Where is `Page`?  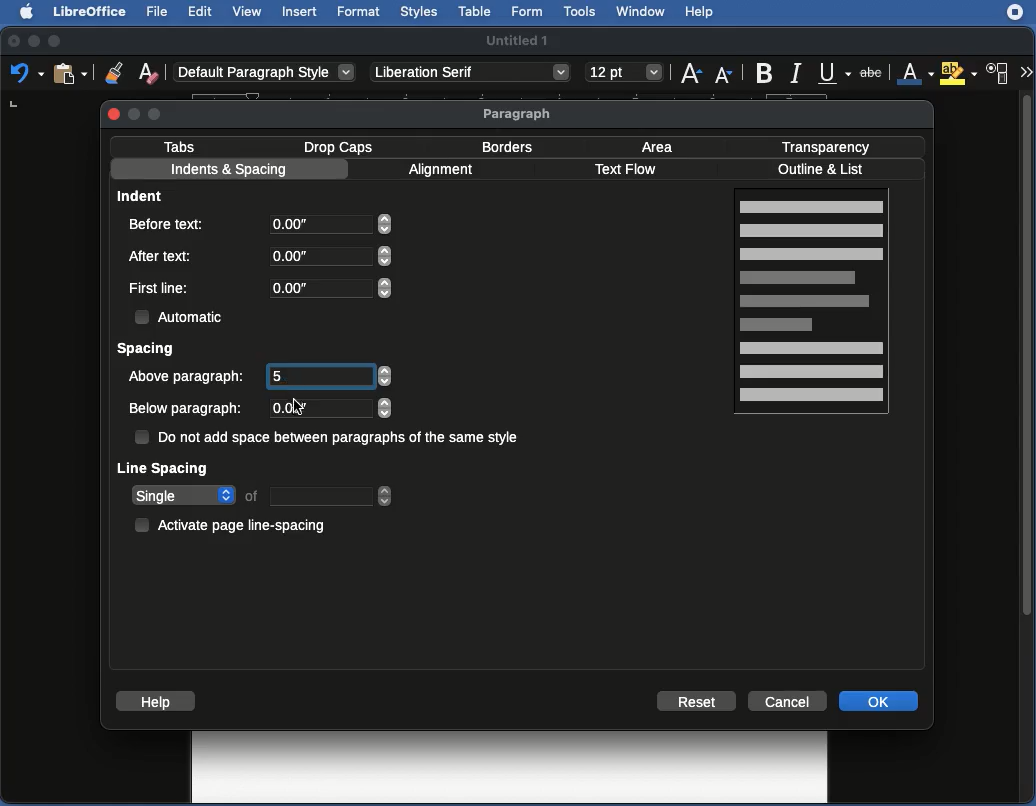
Page is located at coordinates (814, 304).